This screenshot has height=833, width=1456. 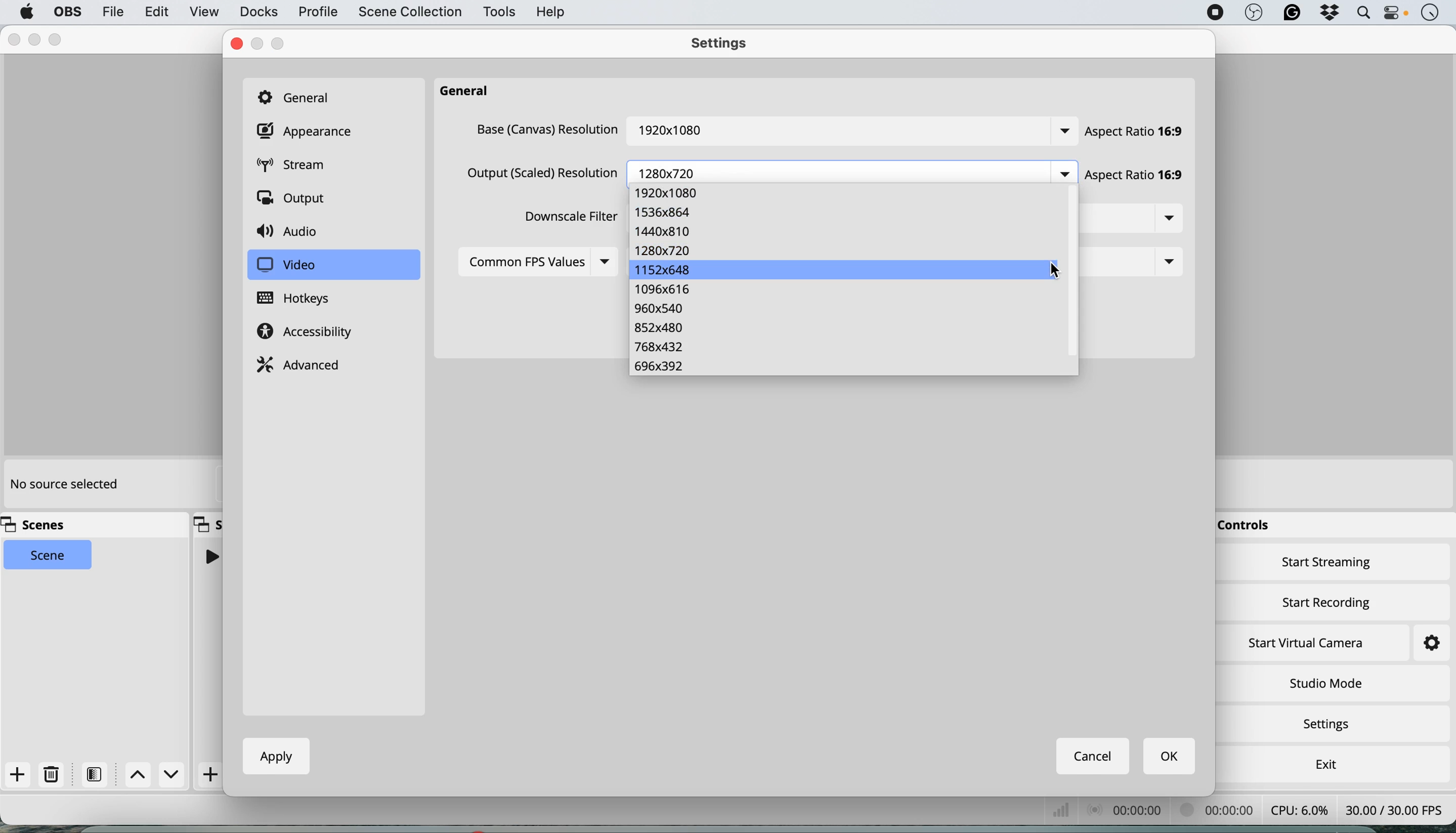 What do you see at coordinates (669, 212) in the screenshot?
I see `1536x864` at bounding box center [669, 212].